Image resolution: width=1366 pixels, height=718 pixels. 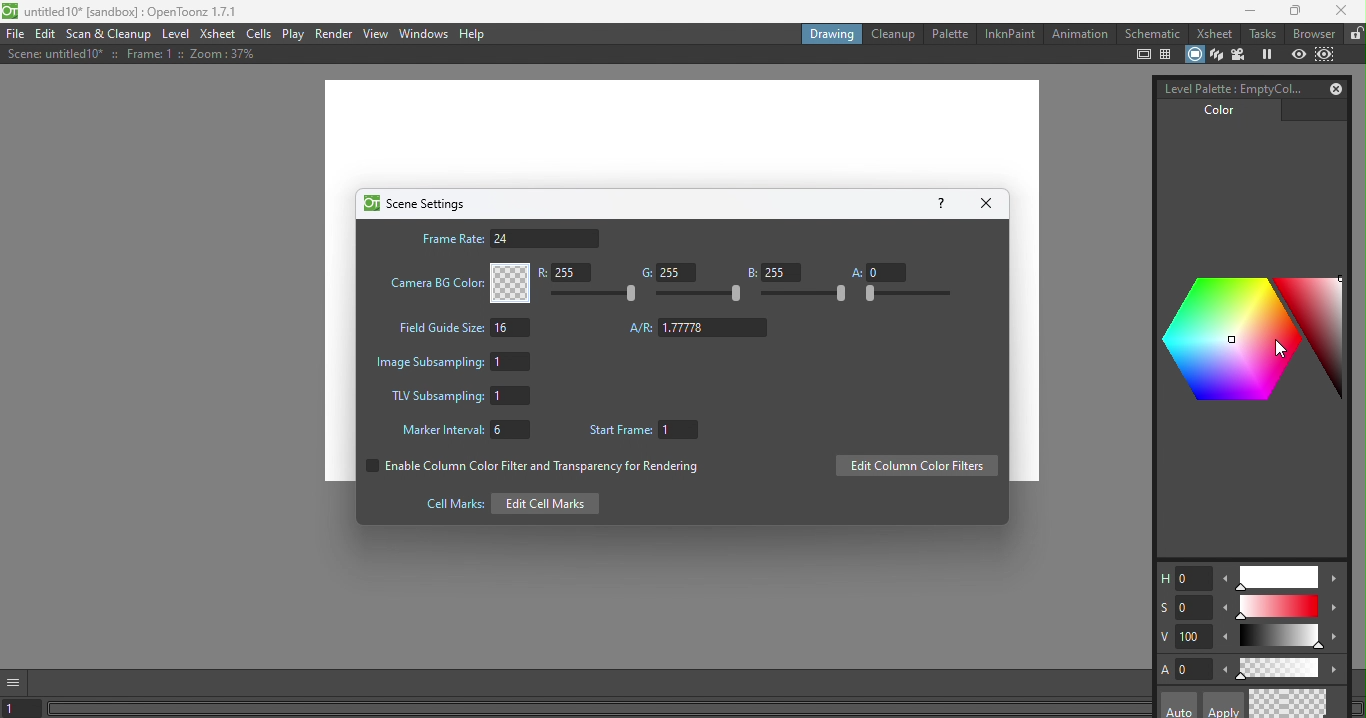 I want to click on Edit cell marks, so click(x=506, y=503).